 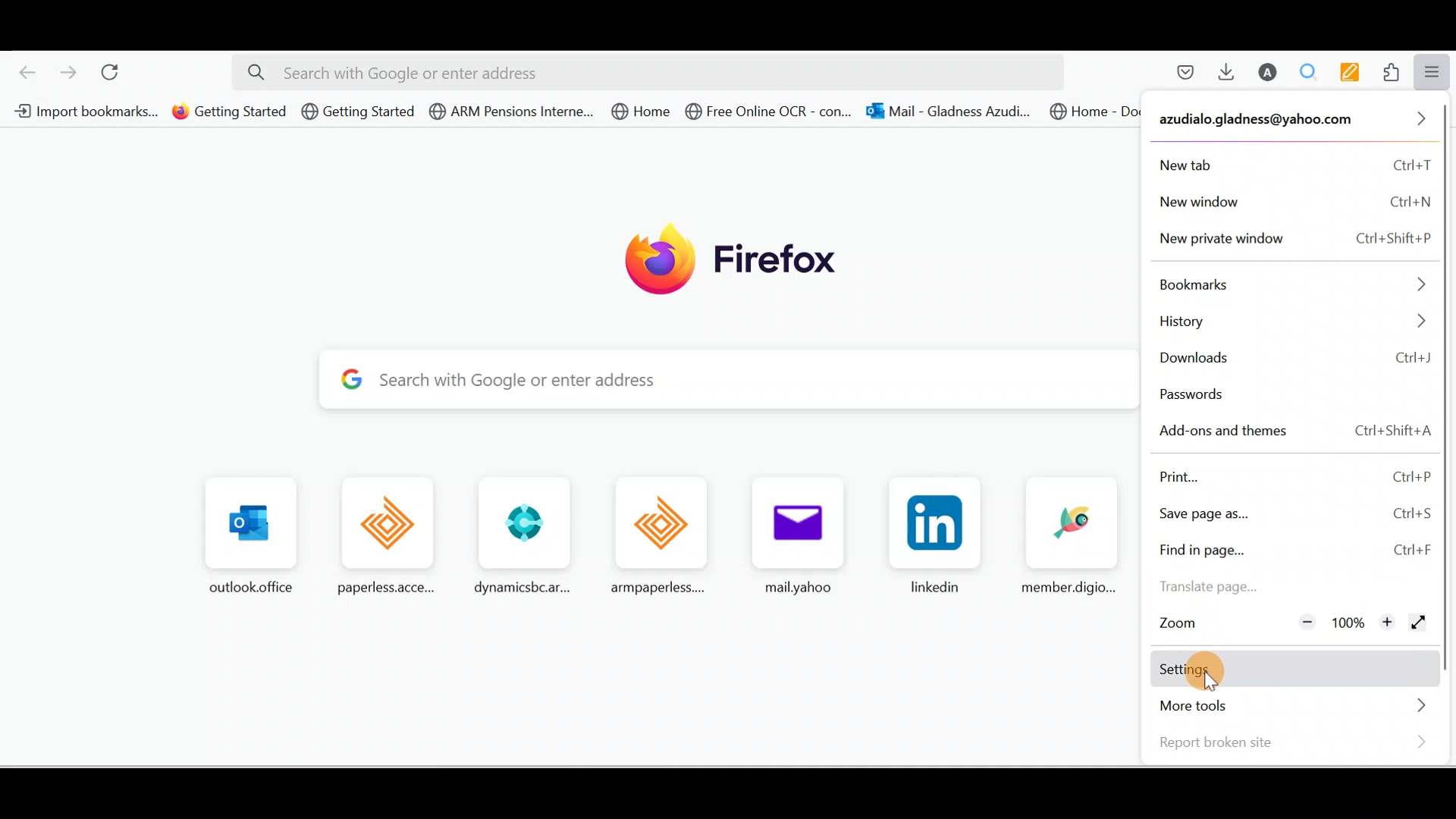 I want to click on Zoom in, so click(x=1389, y=627).